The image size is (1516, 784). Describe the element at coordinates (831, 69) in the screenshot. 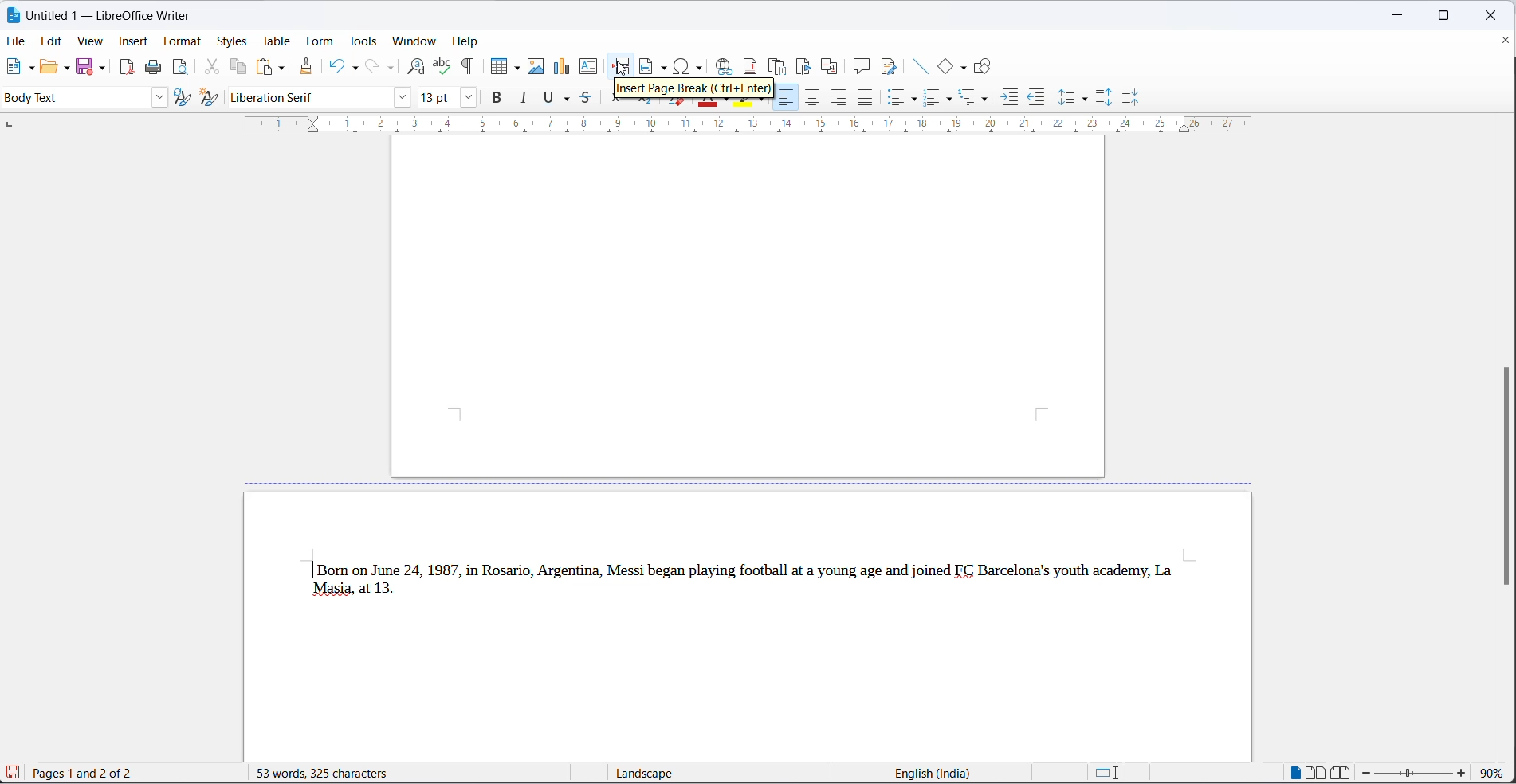

I see `insert cross-reference` at that location.